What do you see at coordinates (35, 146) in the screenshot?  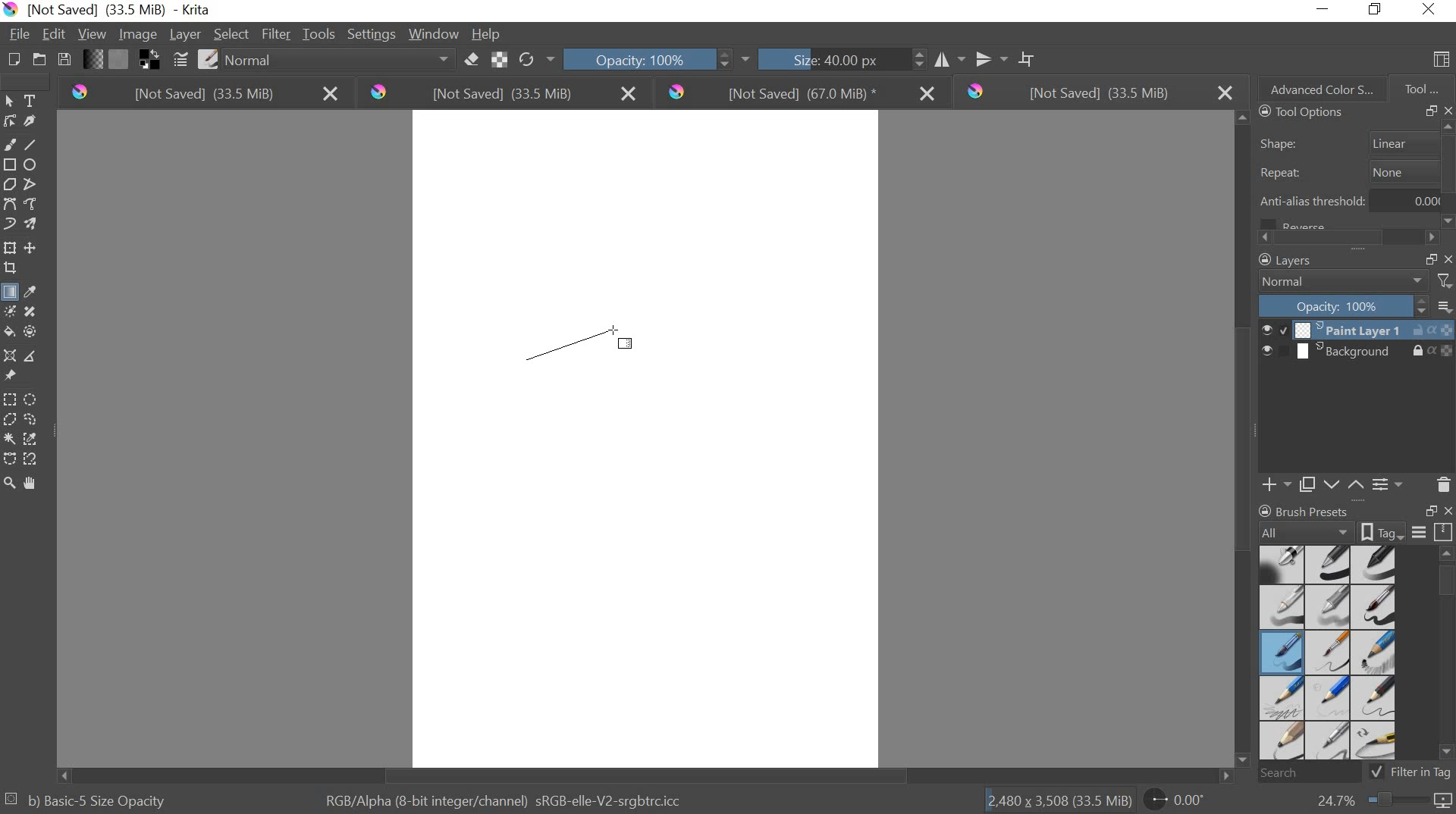 I see `line` at bounding box center [35, 146].